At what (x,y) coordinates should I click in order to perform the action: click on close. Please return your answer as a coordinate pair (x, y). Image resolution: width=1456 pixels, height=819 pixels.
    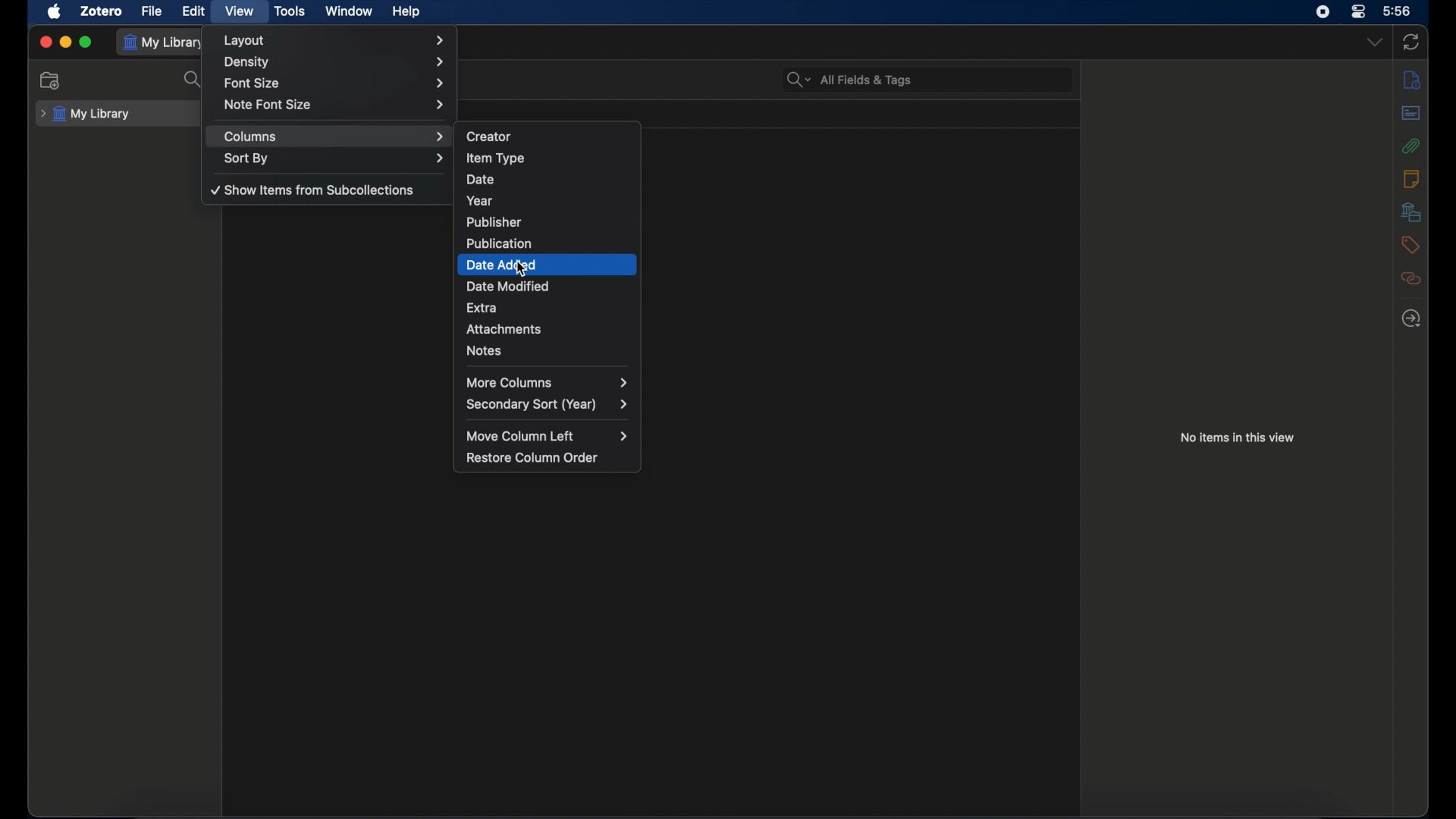
    Looking at the image, I should click on (45, 42).